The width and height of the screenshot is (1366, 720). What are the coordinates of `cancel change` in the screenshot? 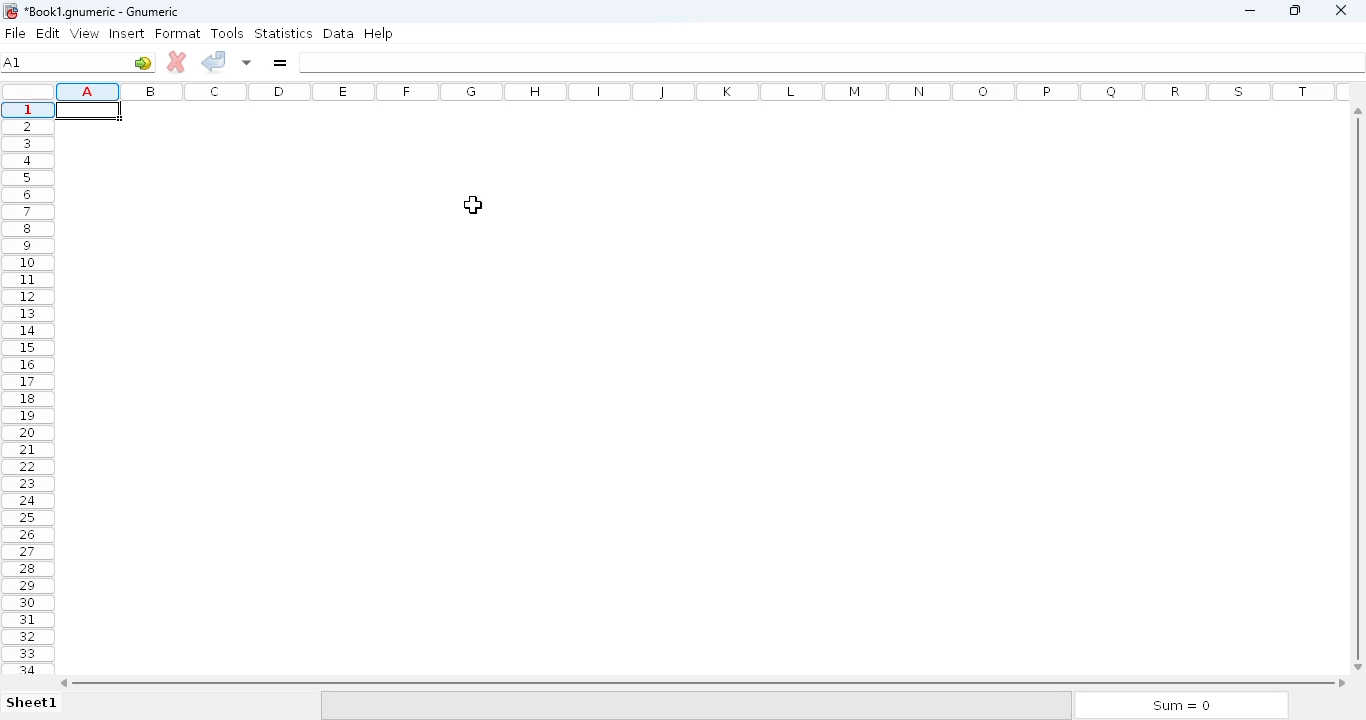 It's located at (177, 62).